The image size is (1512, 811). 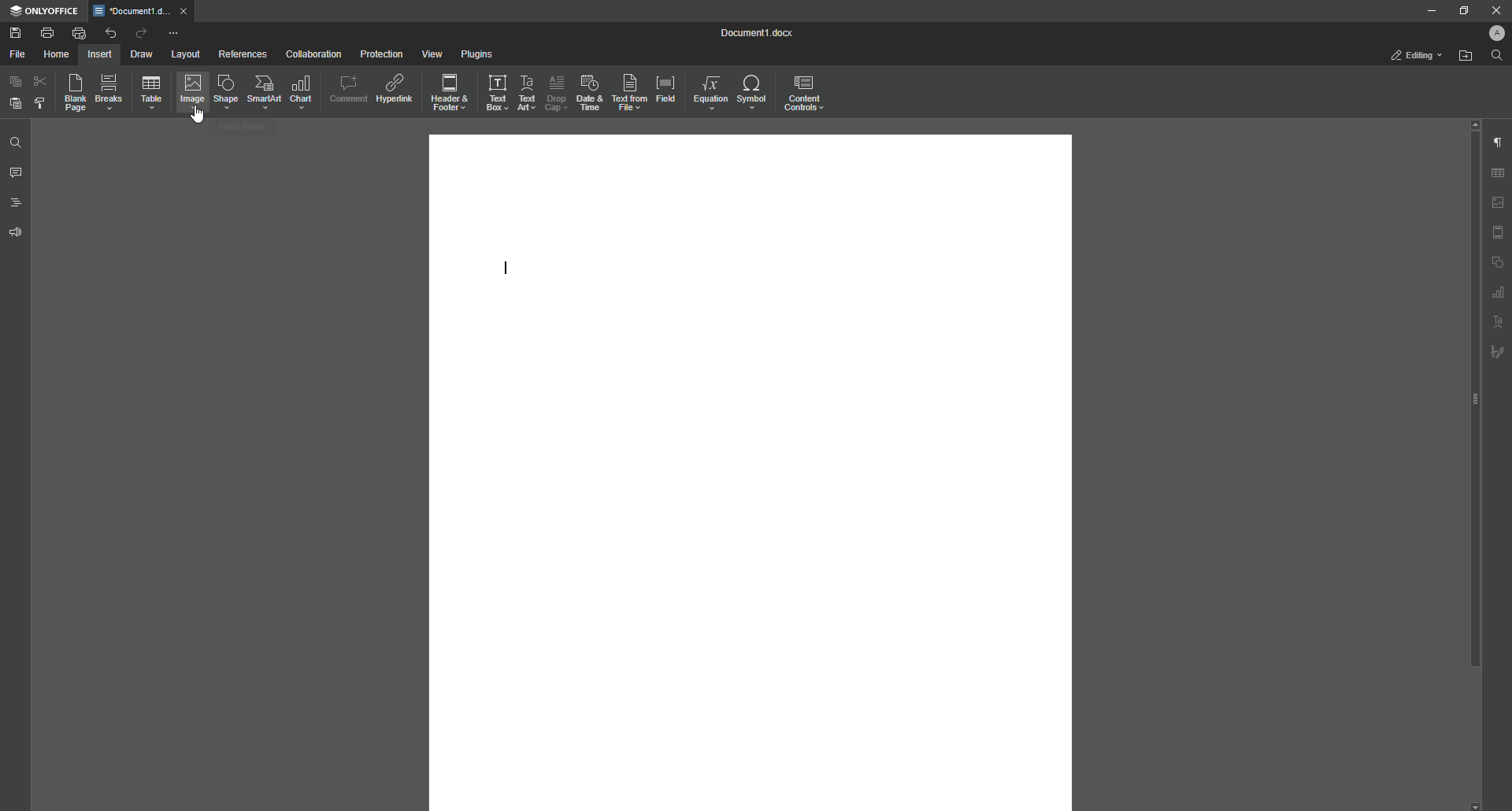 I want to click on Insert, so click(x=100, y=54).